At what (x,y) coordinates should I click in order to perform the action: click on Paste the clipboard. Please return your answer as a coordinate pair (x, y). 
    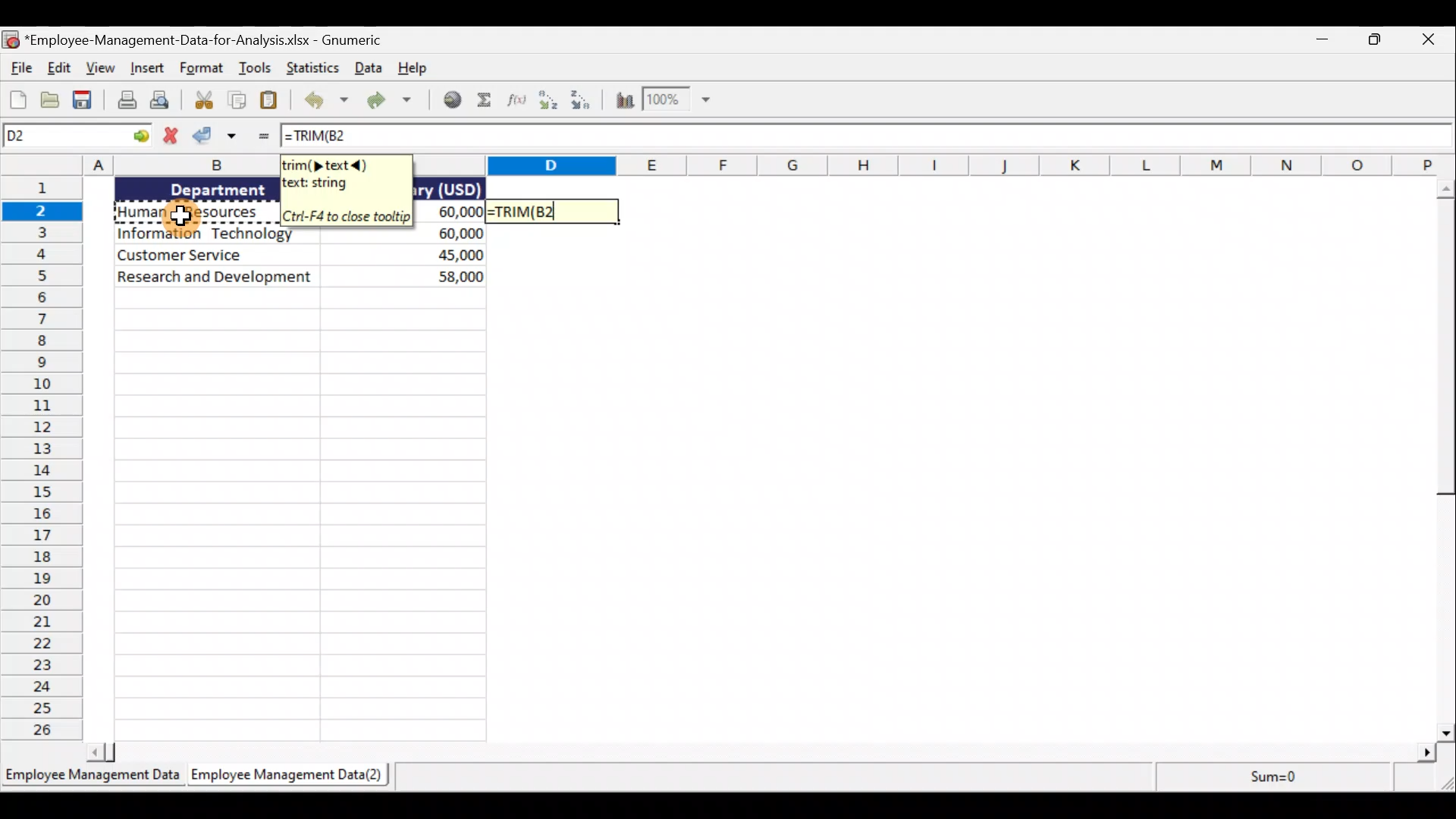
    Looking at the image, I should click on (275, 101).